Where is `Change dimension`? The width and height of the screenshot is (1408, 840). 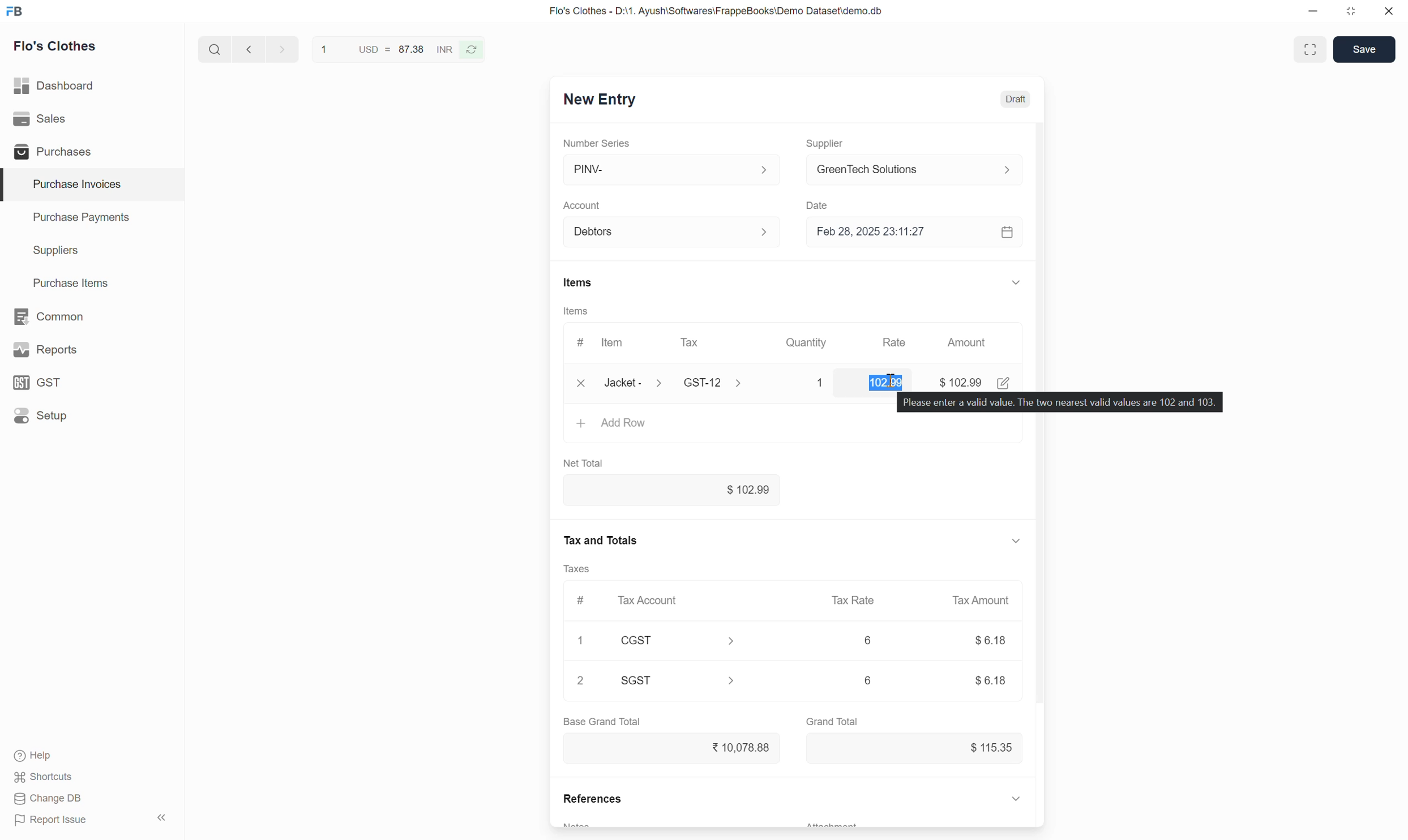
Change dimension is located at coordinates (1350, 11).